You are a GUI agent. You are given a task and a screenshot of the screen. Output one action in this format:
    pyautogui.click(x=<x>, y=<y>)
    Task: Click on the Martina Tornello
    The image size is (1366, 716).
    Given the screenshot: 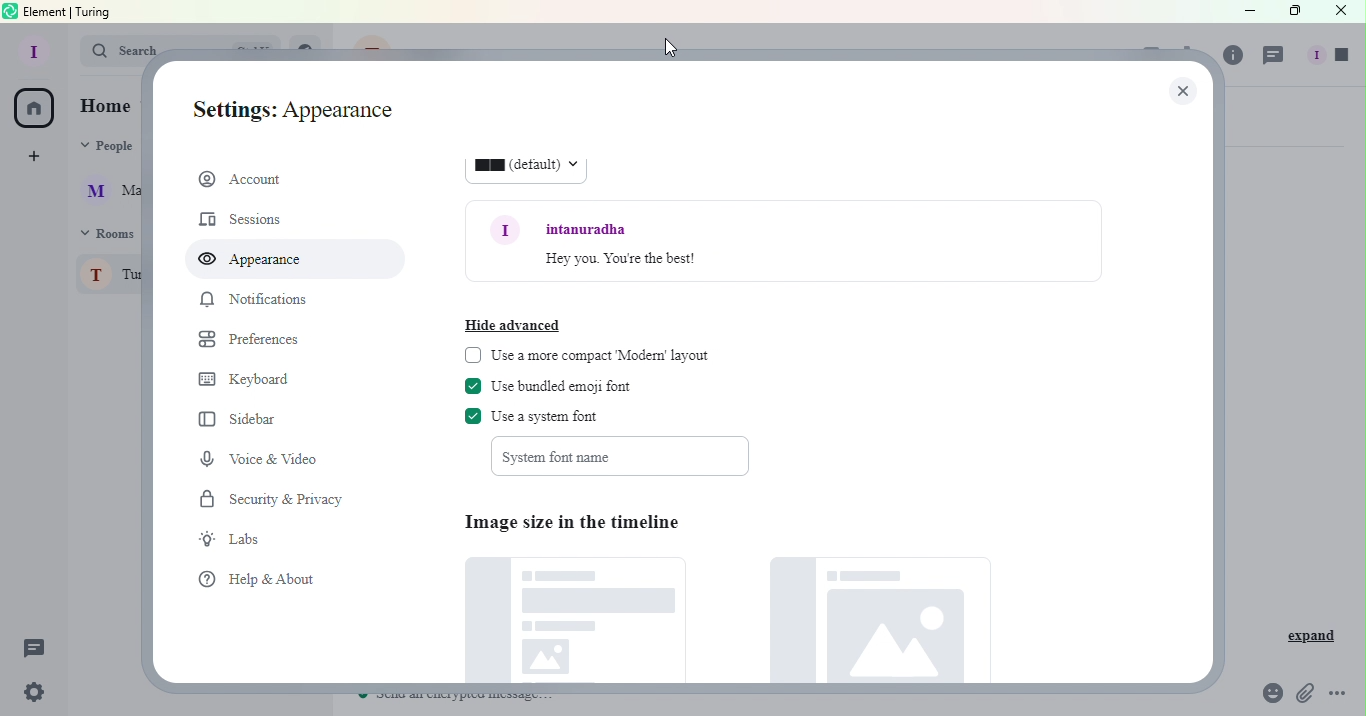 What is the action you would take?
    pyautogui.click(x=106, y=192)
    